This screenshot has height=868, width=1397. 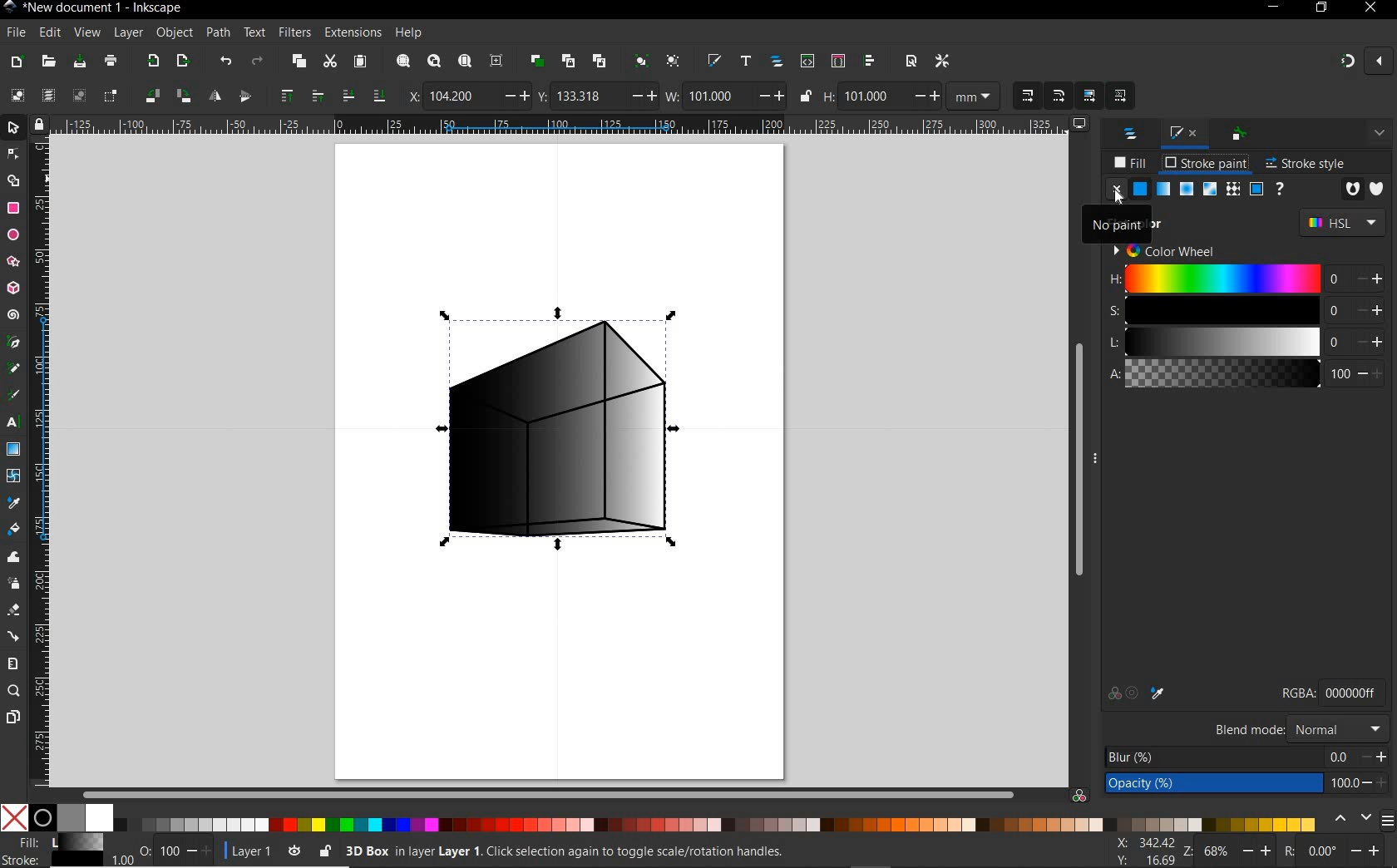 What do you see at coordinates (292, 851) in the screenshot?
I see `TOGGLE CURRENT LAYER VISIBILITY` at bounding box center [292, 851].